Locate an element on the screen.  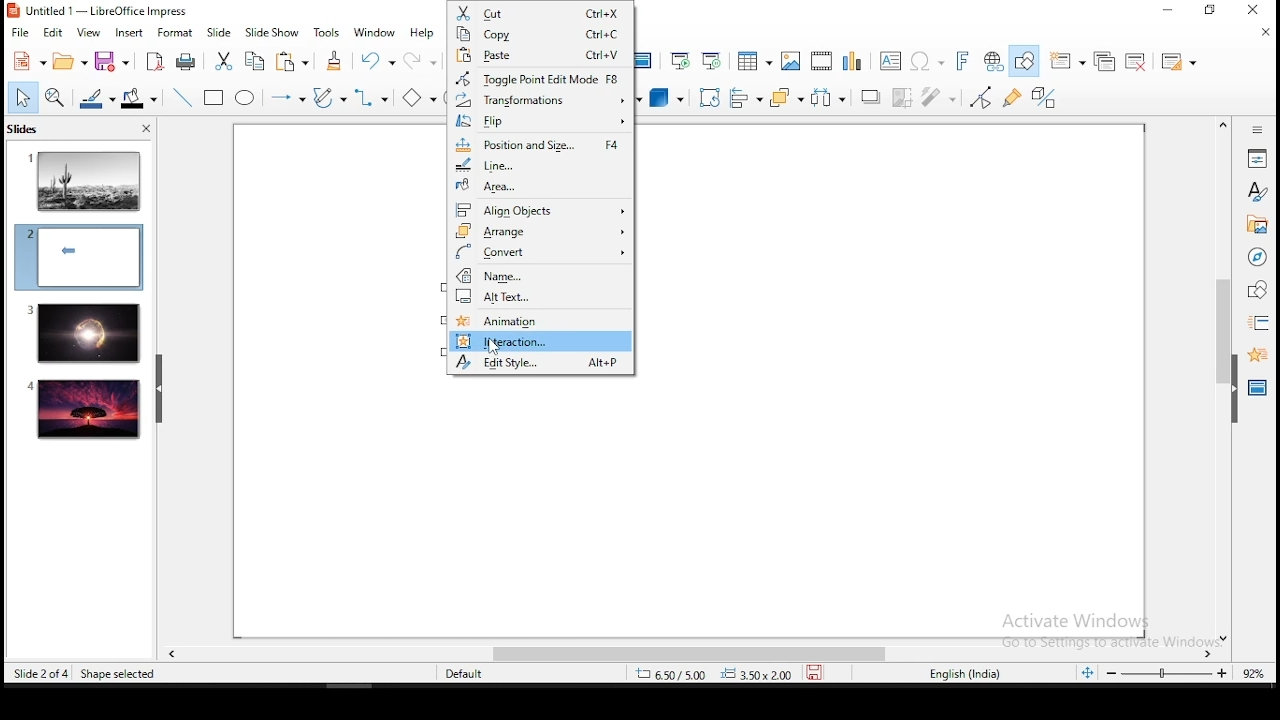
tables is located at coordinates (751, 61).